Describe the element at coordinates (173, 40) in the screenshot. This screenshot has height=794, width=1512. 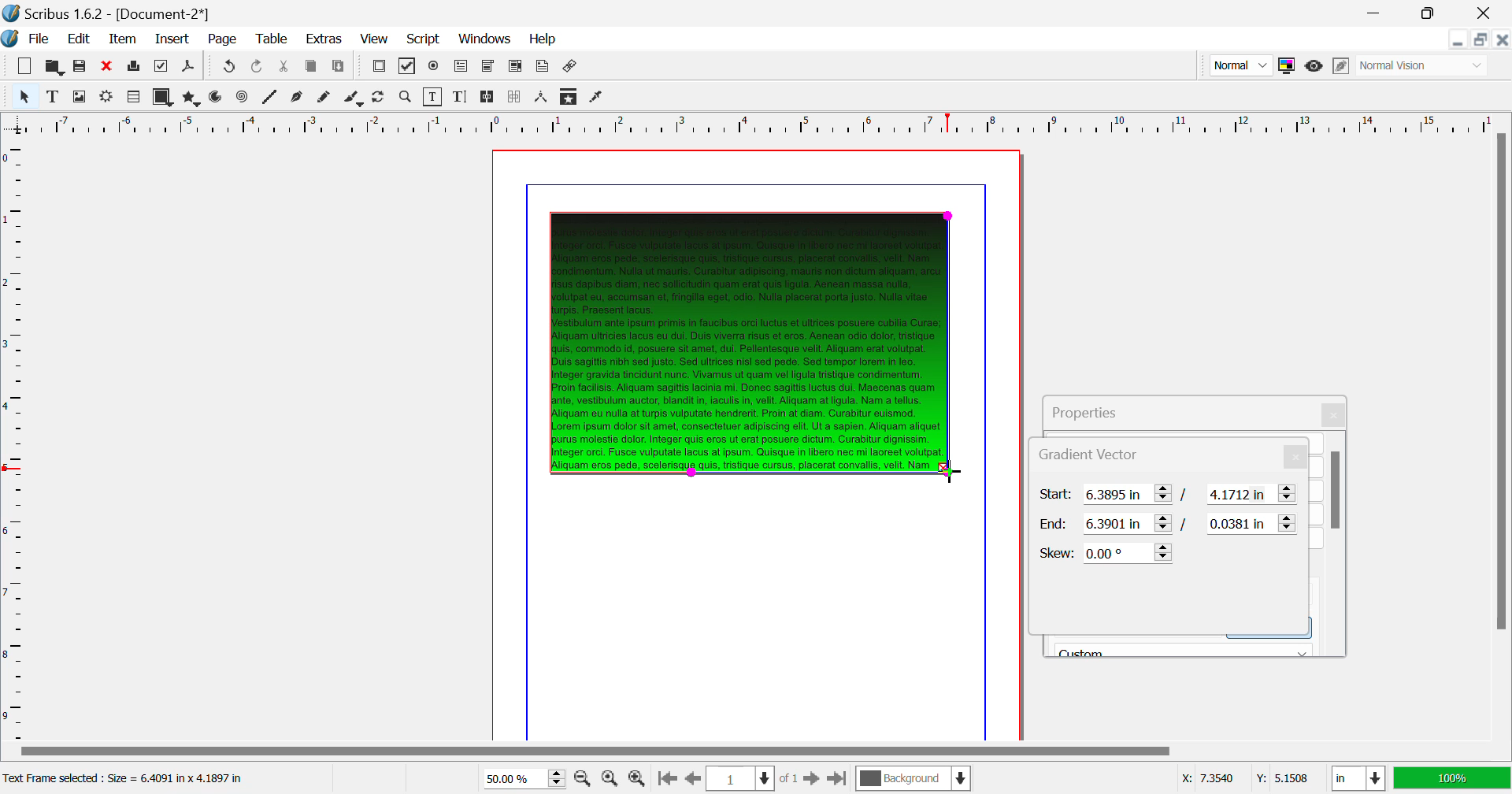
I see `Insert` at that location.